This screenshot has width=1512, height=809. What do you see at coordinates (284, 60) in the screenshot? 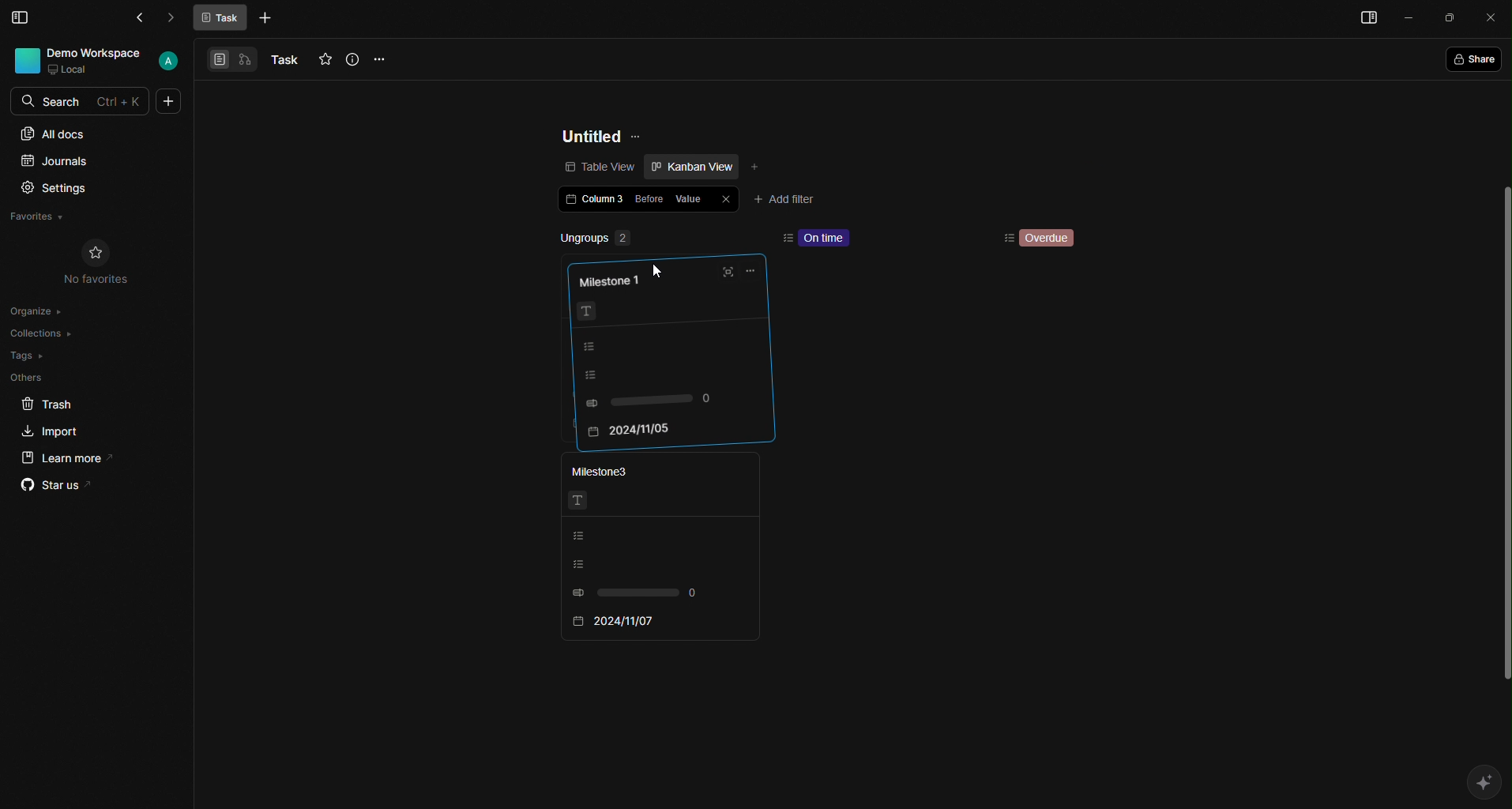
I see `Task` at bounding box center [284, 60].